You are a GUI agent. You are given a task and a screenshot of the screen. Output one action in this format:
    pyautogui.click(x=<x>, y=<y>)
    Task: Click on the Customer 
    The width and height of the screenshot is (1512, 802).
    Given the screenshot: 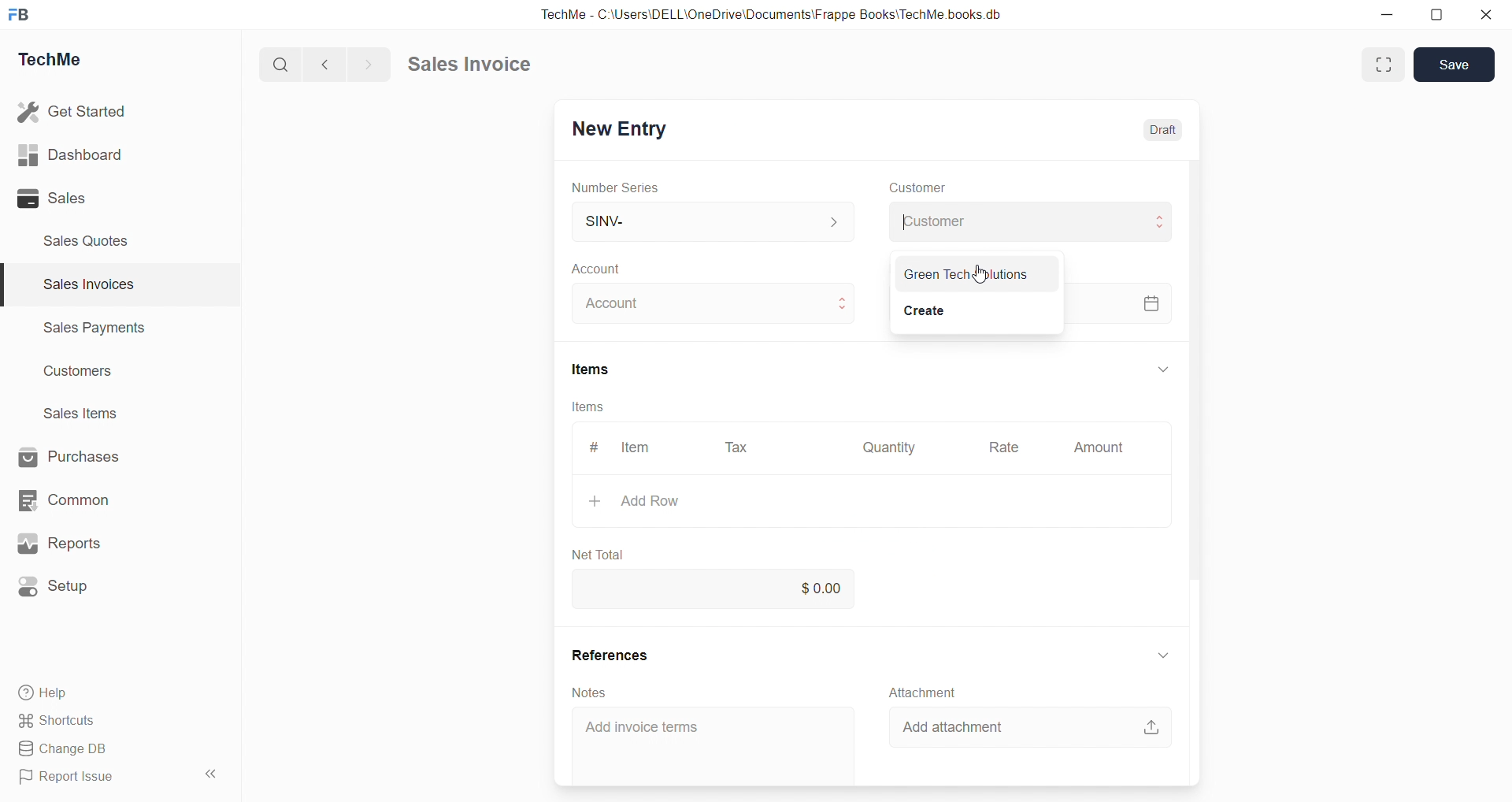 What is the action you would take?
    pyautogui.click(x=1032, y=221)
    